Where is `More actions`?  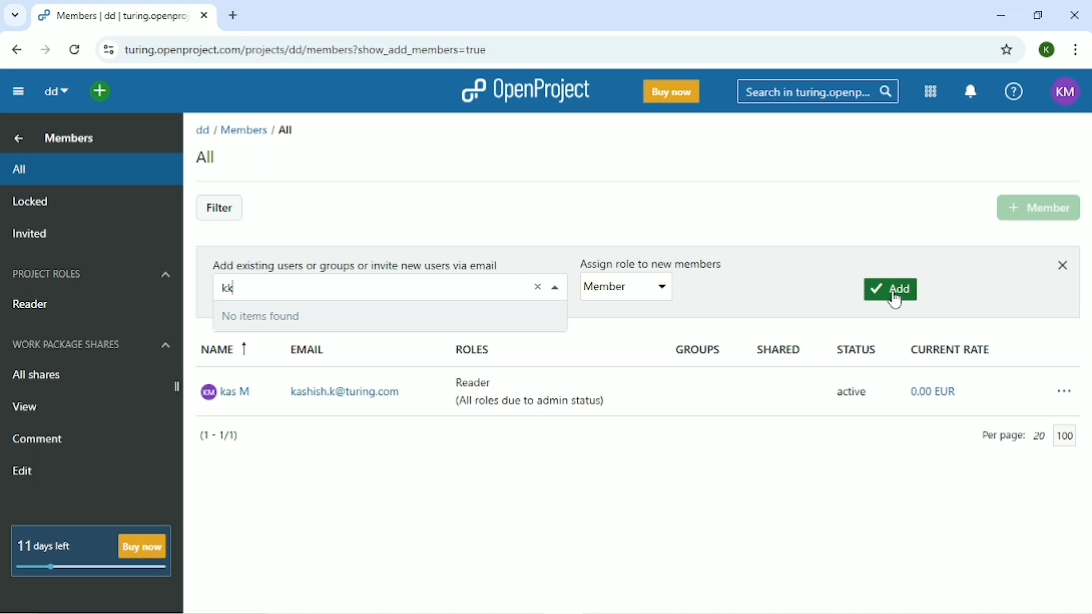
More actions is located at coordinates (1063, 390).